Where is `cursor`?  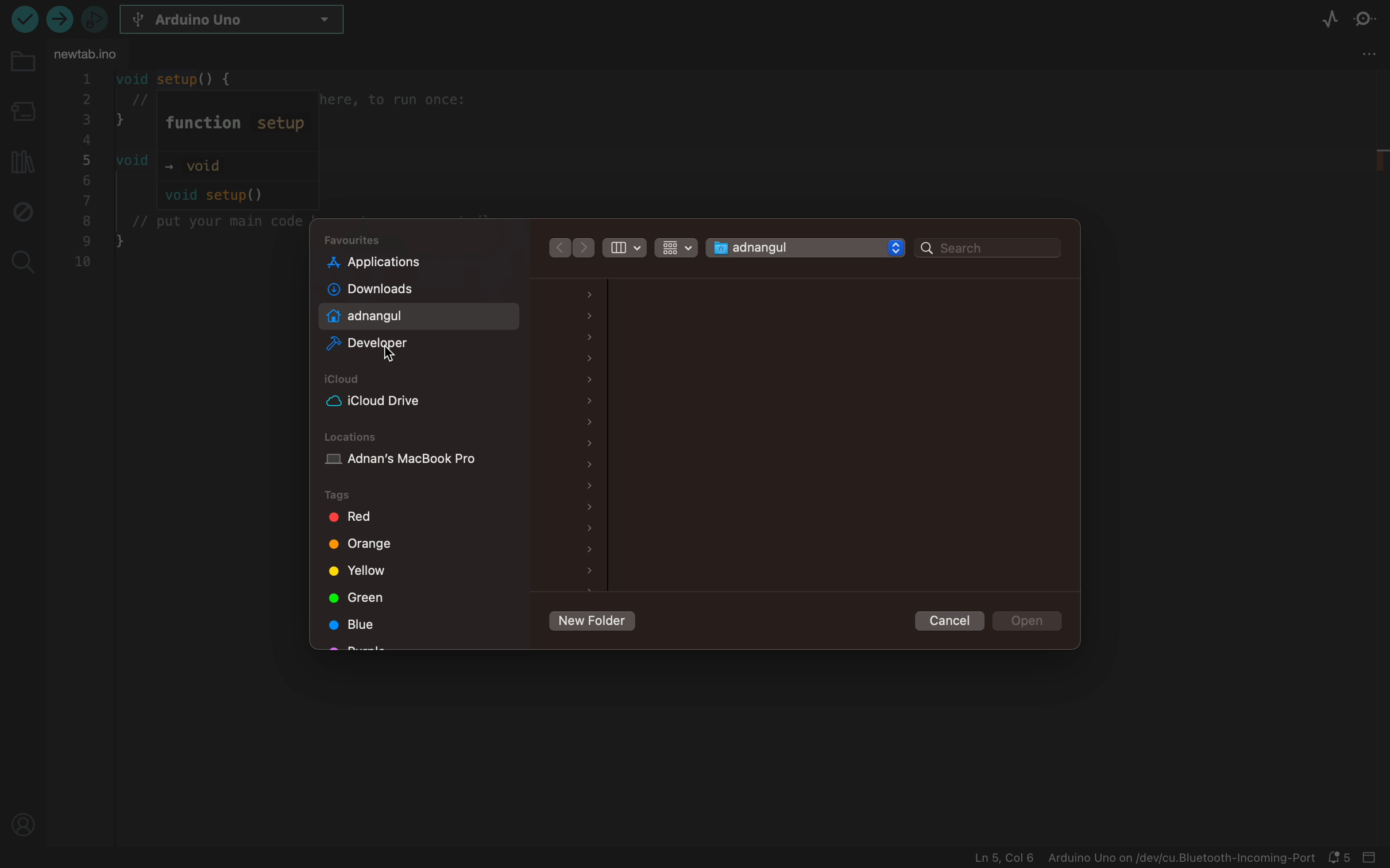 cursor is located at coordinates (391, 354).